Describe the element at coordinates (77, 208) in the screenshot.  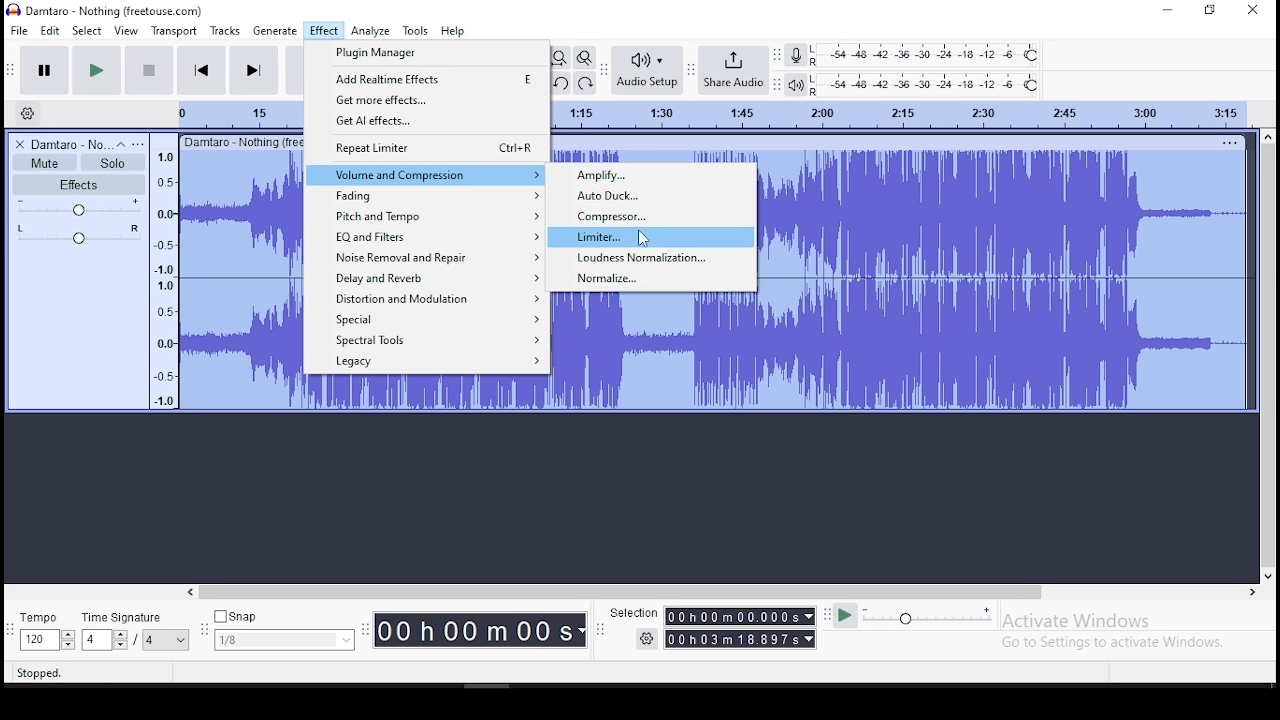
I see `volume` at that location.